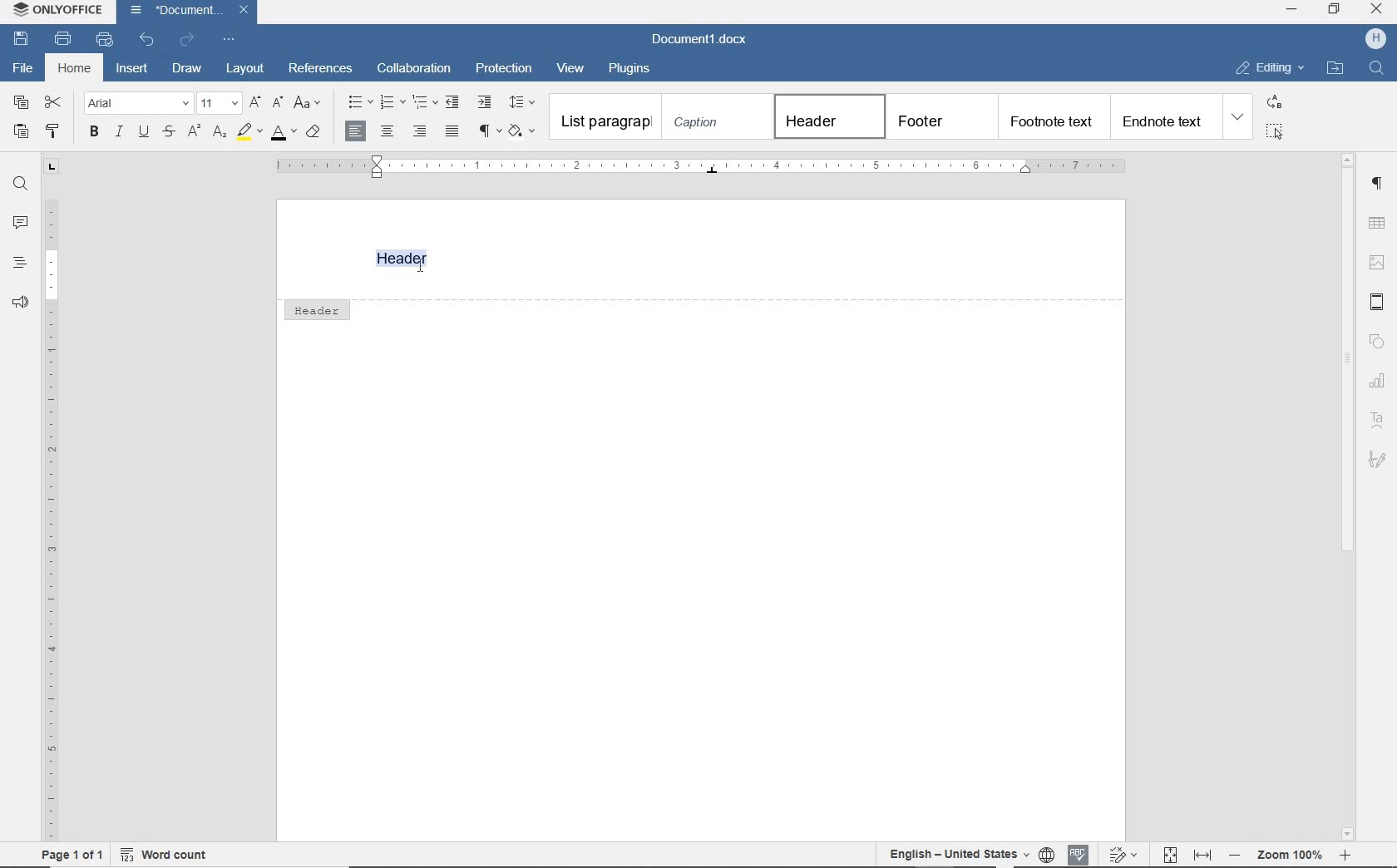  I want to click on plugins, so click(633, 67).